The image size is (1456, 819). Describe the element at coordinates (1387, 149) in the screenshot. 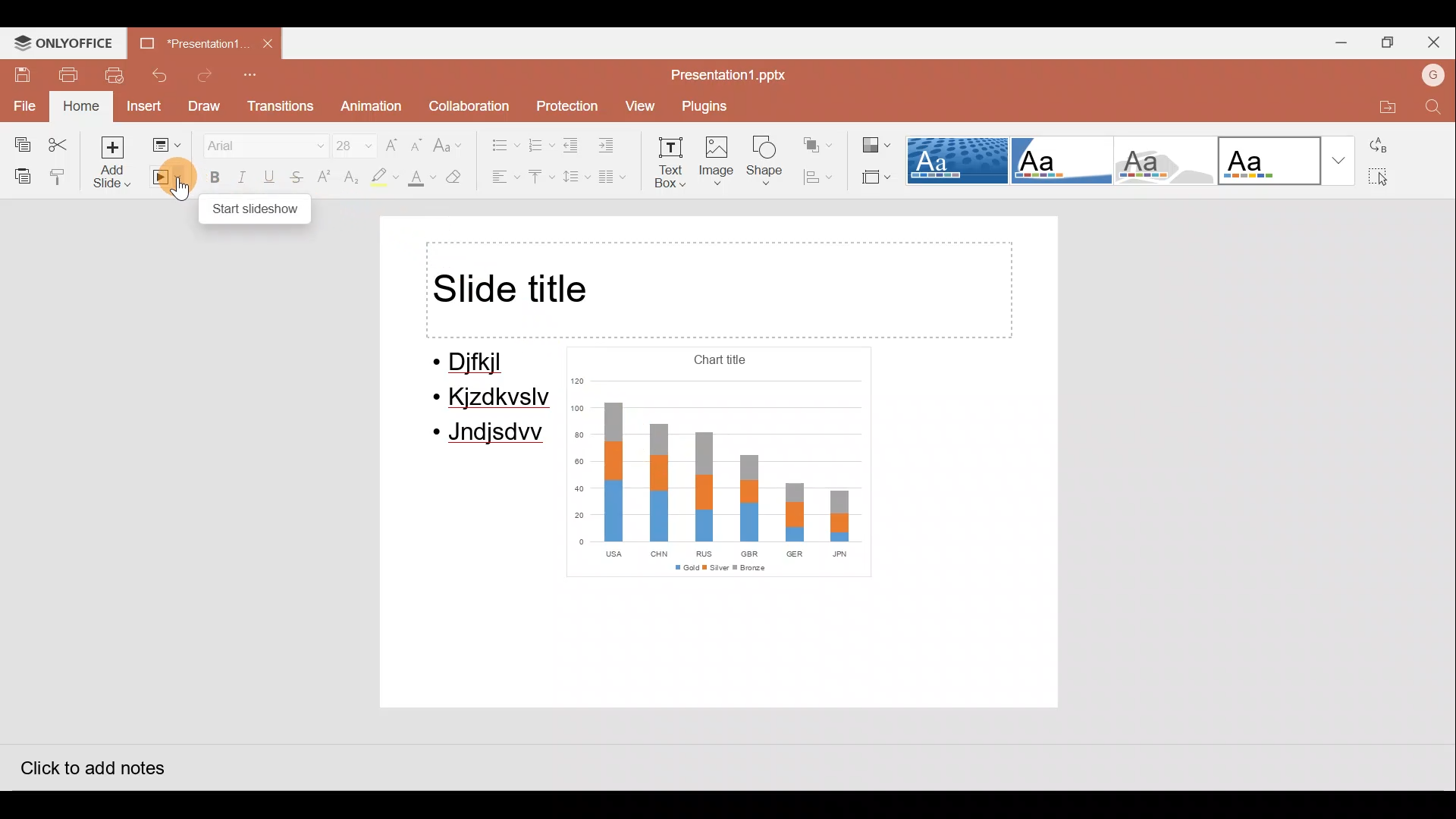

I see `Replace` at that location.